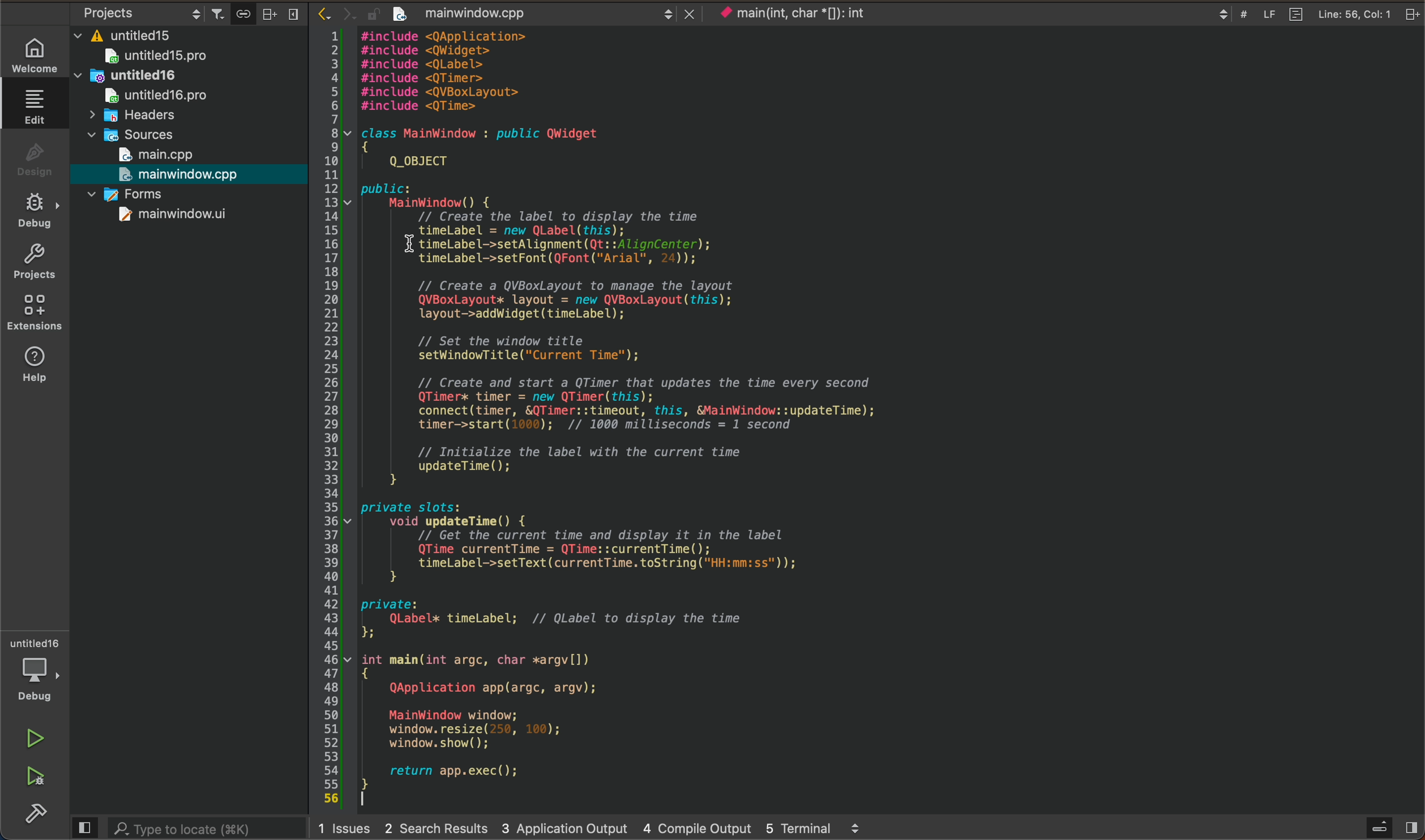 The width and height of the screenshot is (1425, 840). What do you see at coordinates (146, 97) in the screenshot?
I see `untitled16.pro` at bounding box center [146, 97].